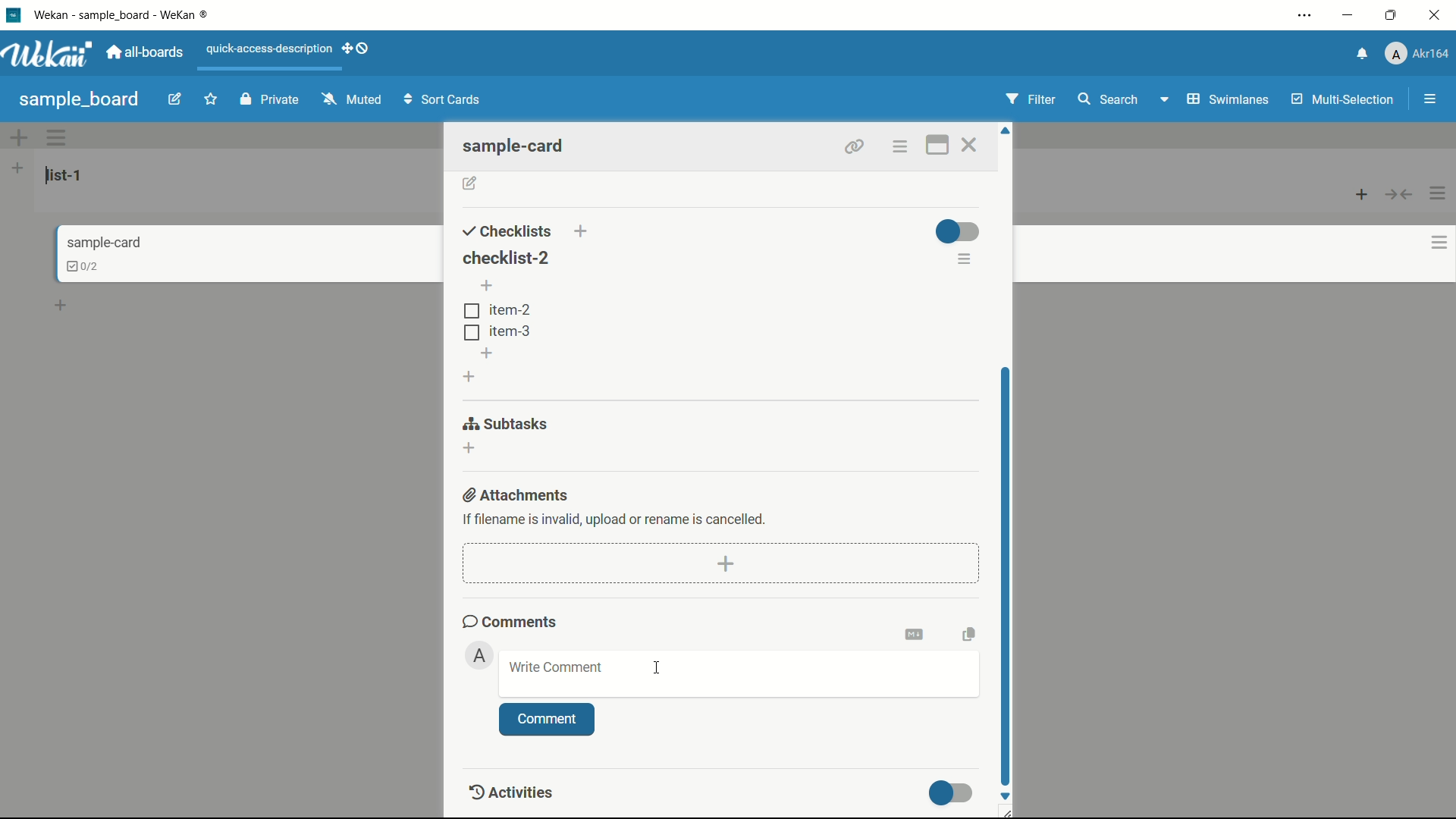 This screenshot has width=1456, height=819. I want to click on profile, so click(1420, 54).